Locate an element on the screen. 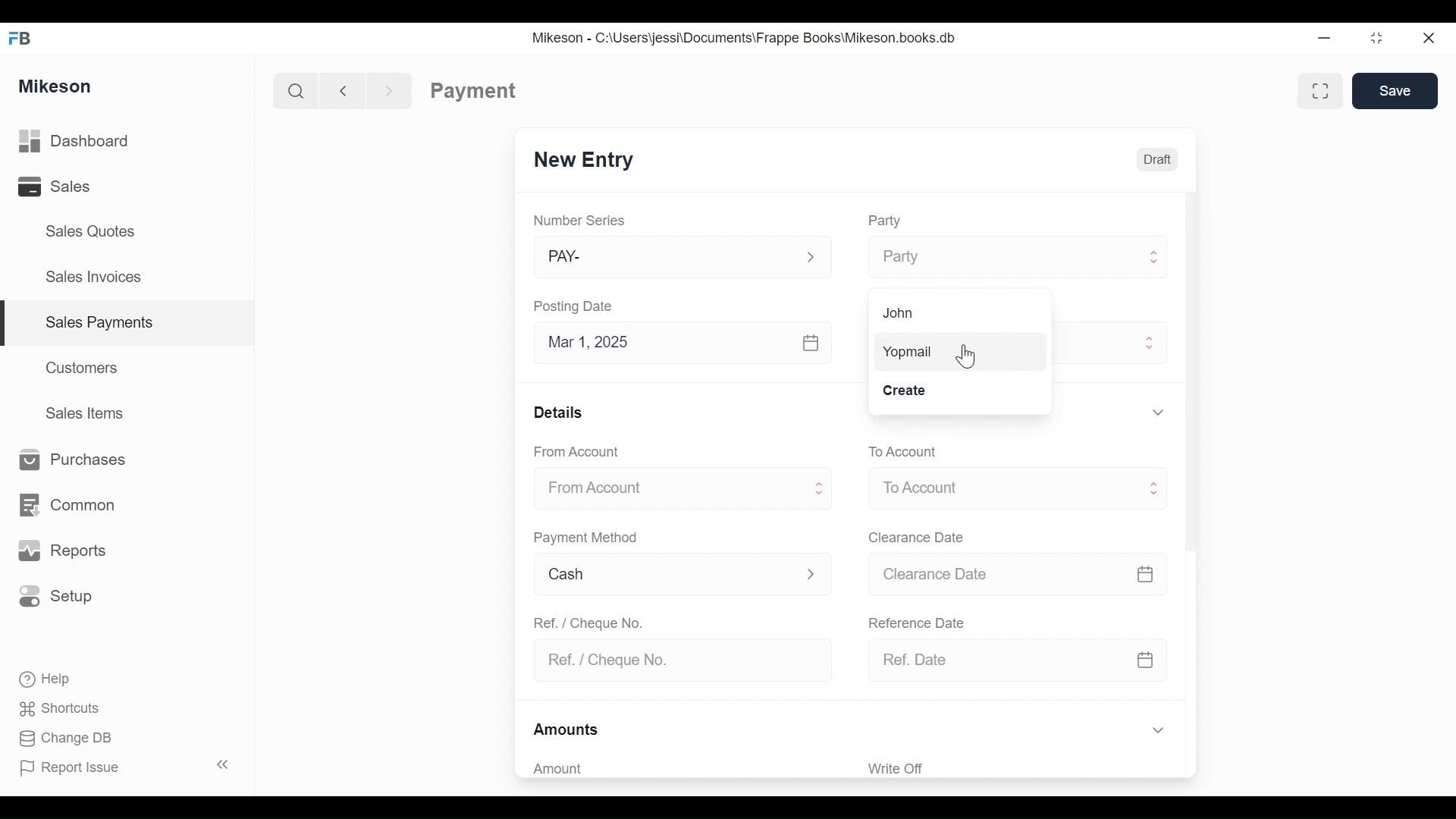 This screenshot has width=1456, height=819. From Account is located at coordinates (685, 489).